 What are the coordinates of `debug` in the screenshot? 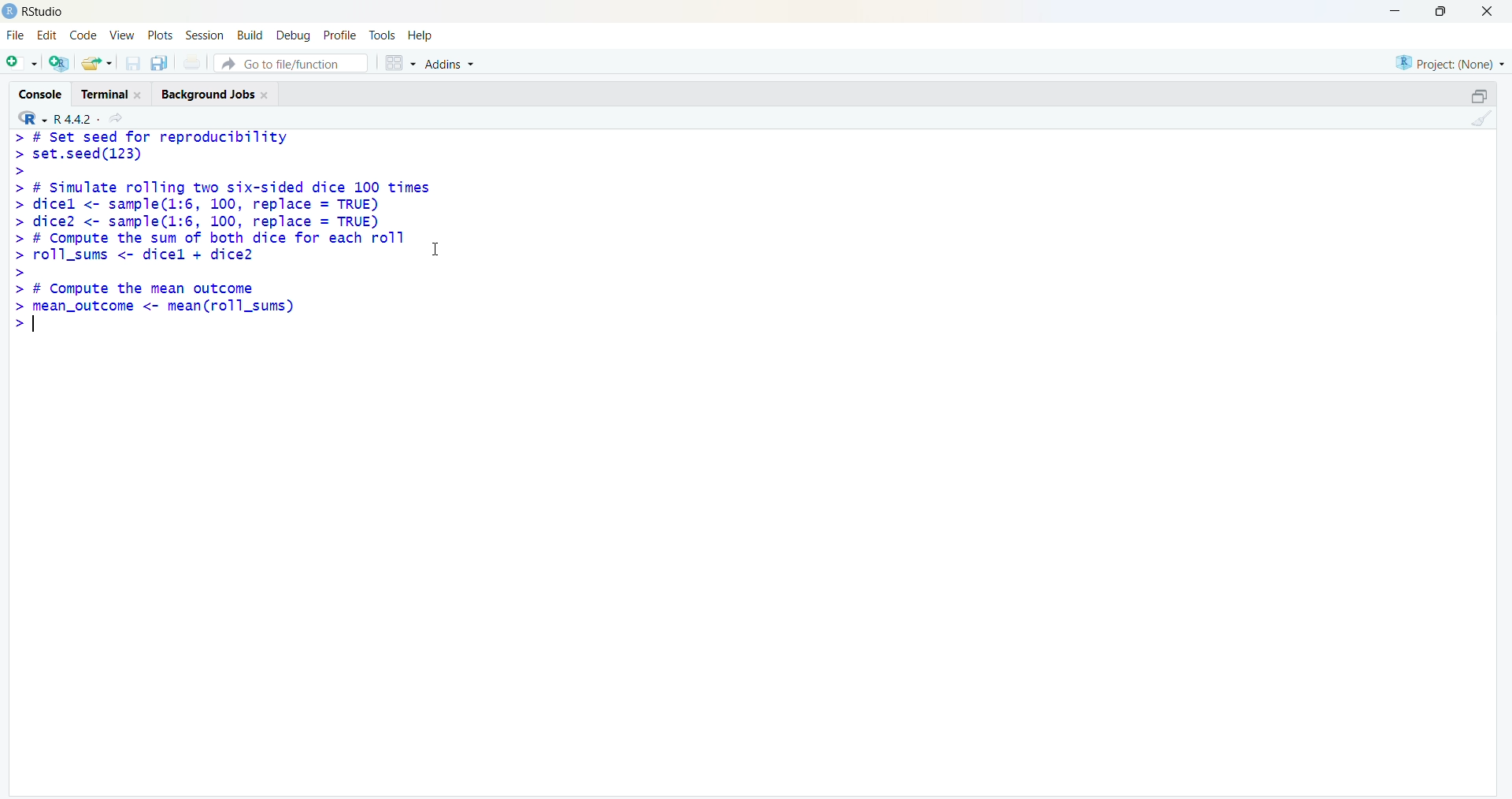 It's located at (292, 36).